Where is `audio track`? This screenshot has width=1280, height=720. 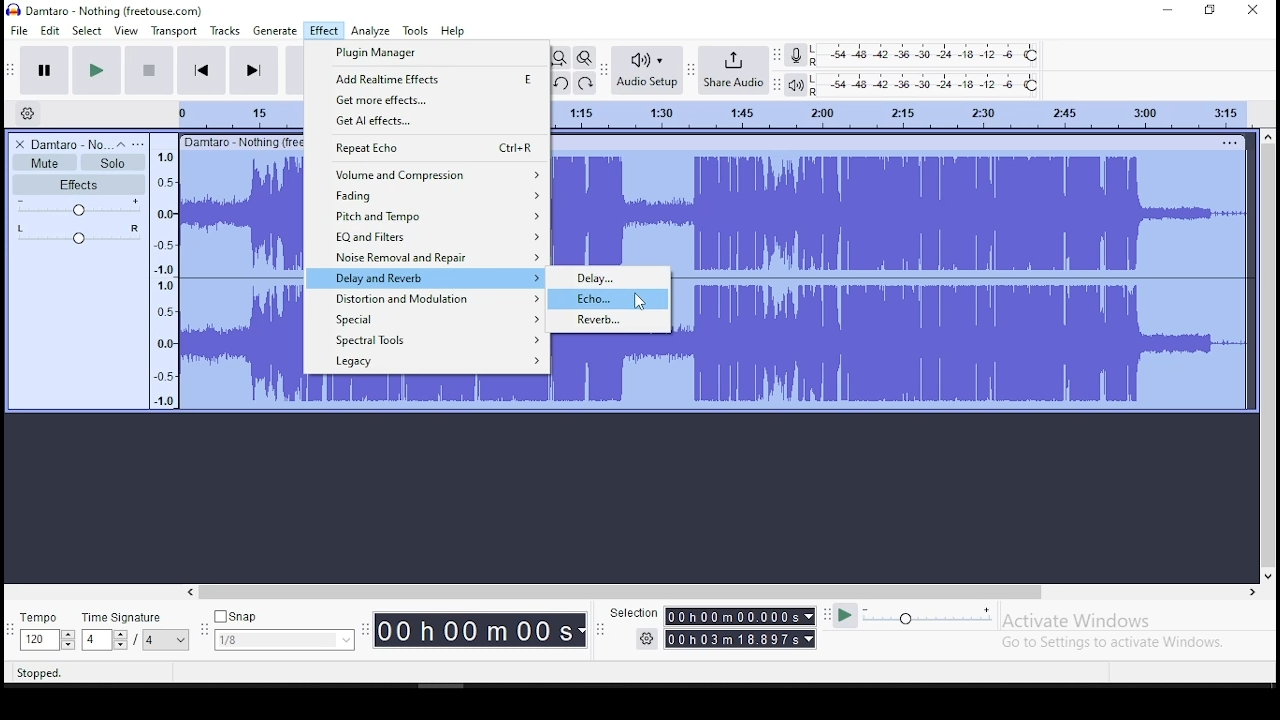 audio track is located at coordinates (901, 208).